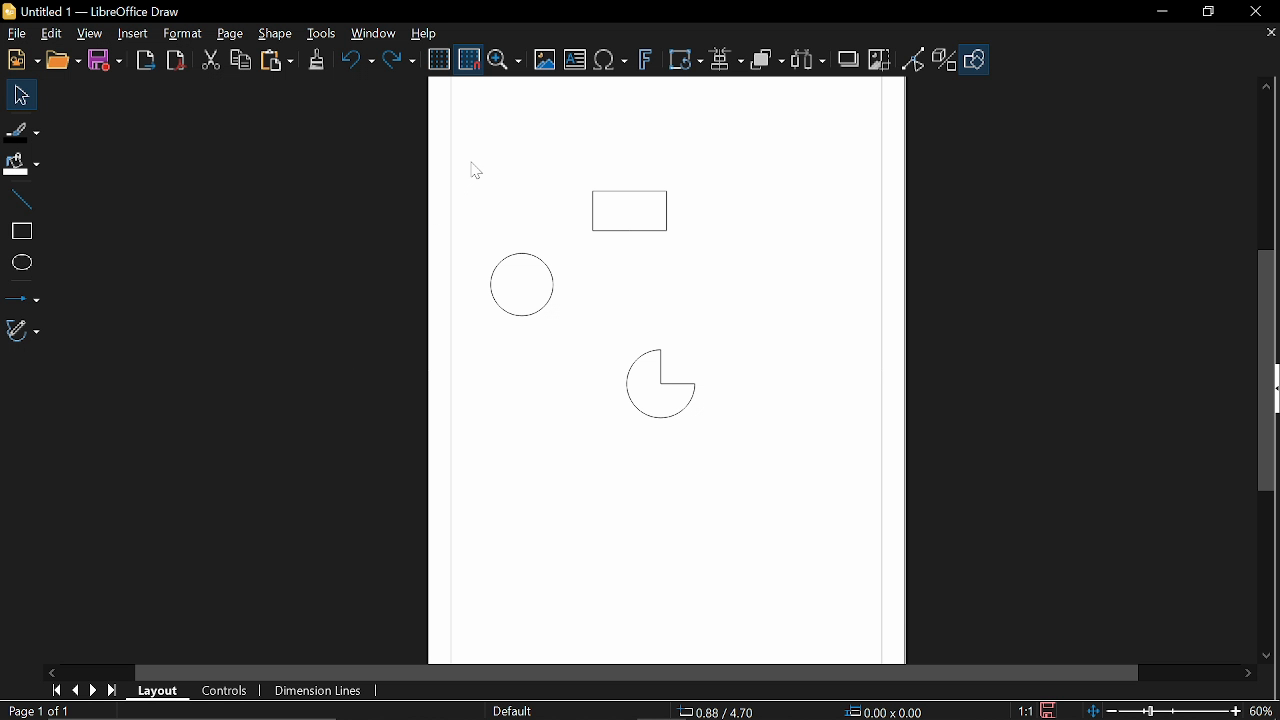  I want to click on Transform, so click(686, 60).